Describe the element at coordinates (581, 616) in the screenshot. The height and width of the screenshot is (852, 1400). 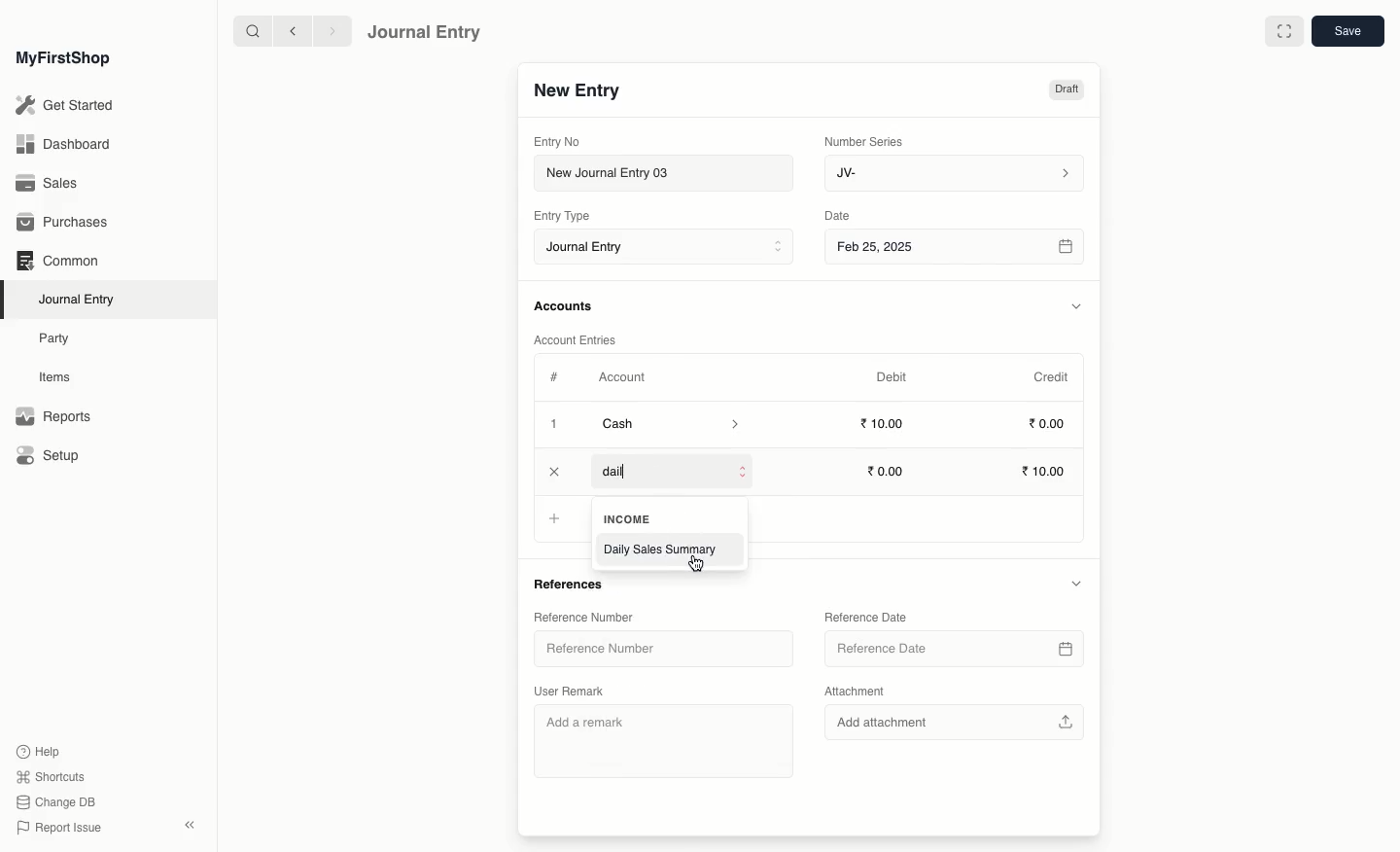
I see `Reference Number` at that location.